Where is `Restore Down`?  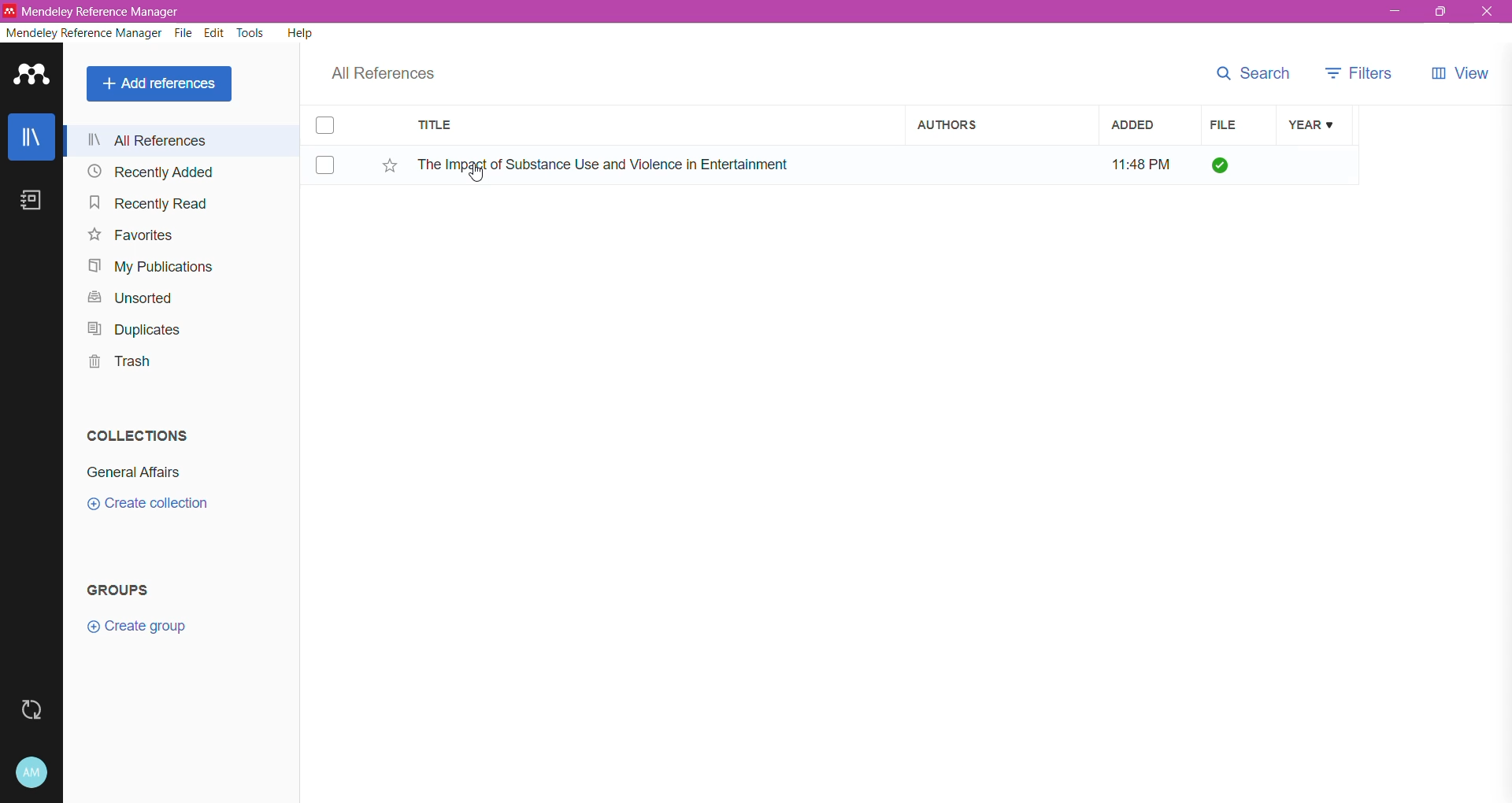
Restore Down is located at coordinates (1441, 11).